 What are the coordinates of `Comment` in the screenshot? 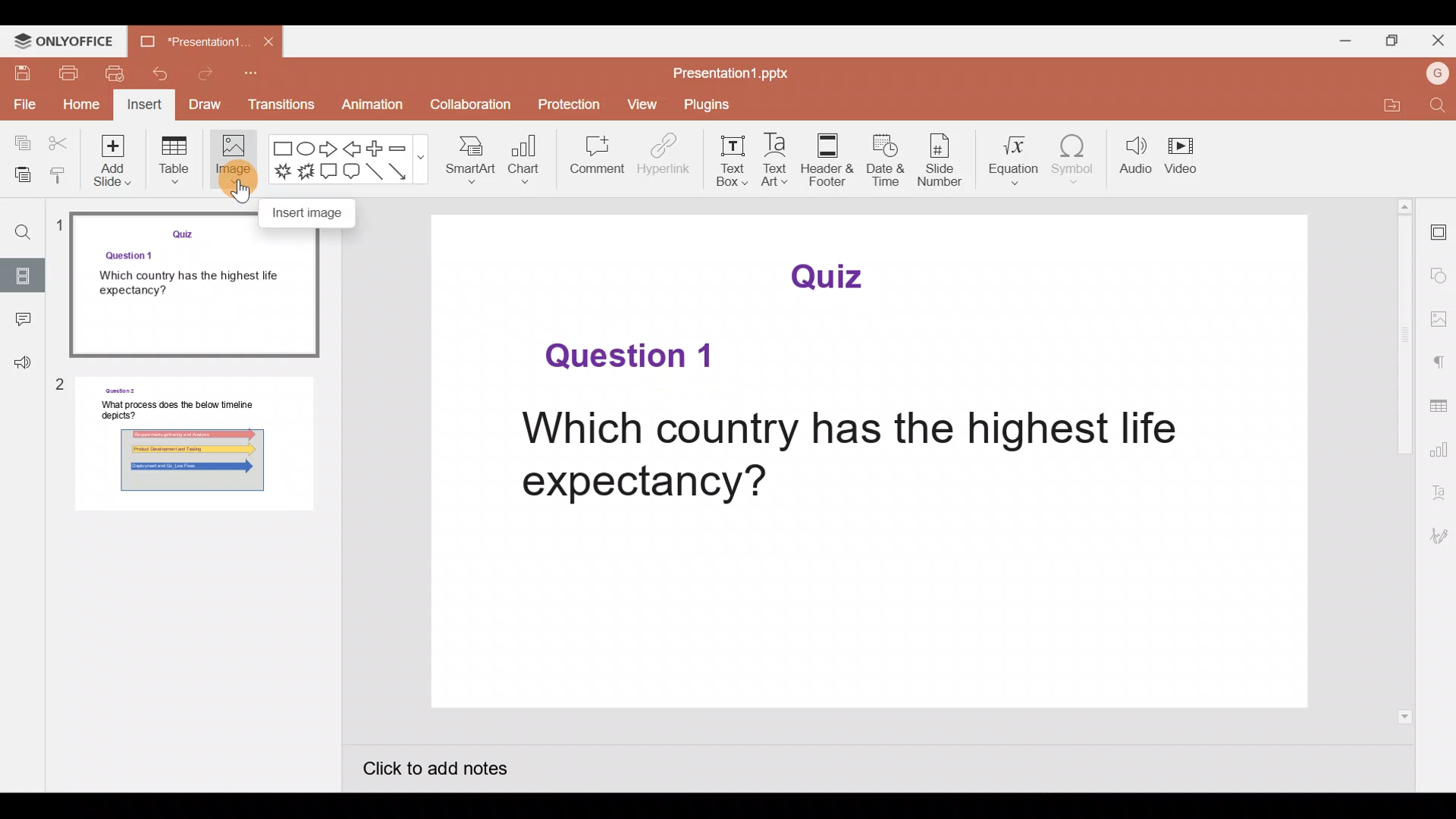 It's located at (21, 324).